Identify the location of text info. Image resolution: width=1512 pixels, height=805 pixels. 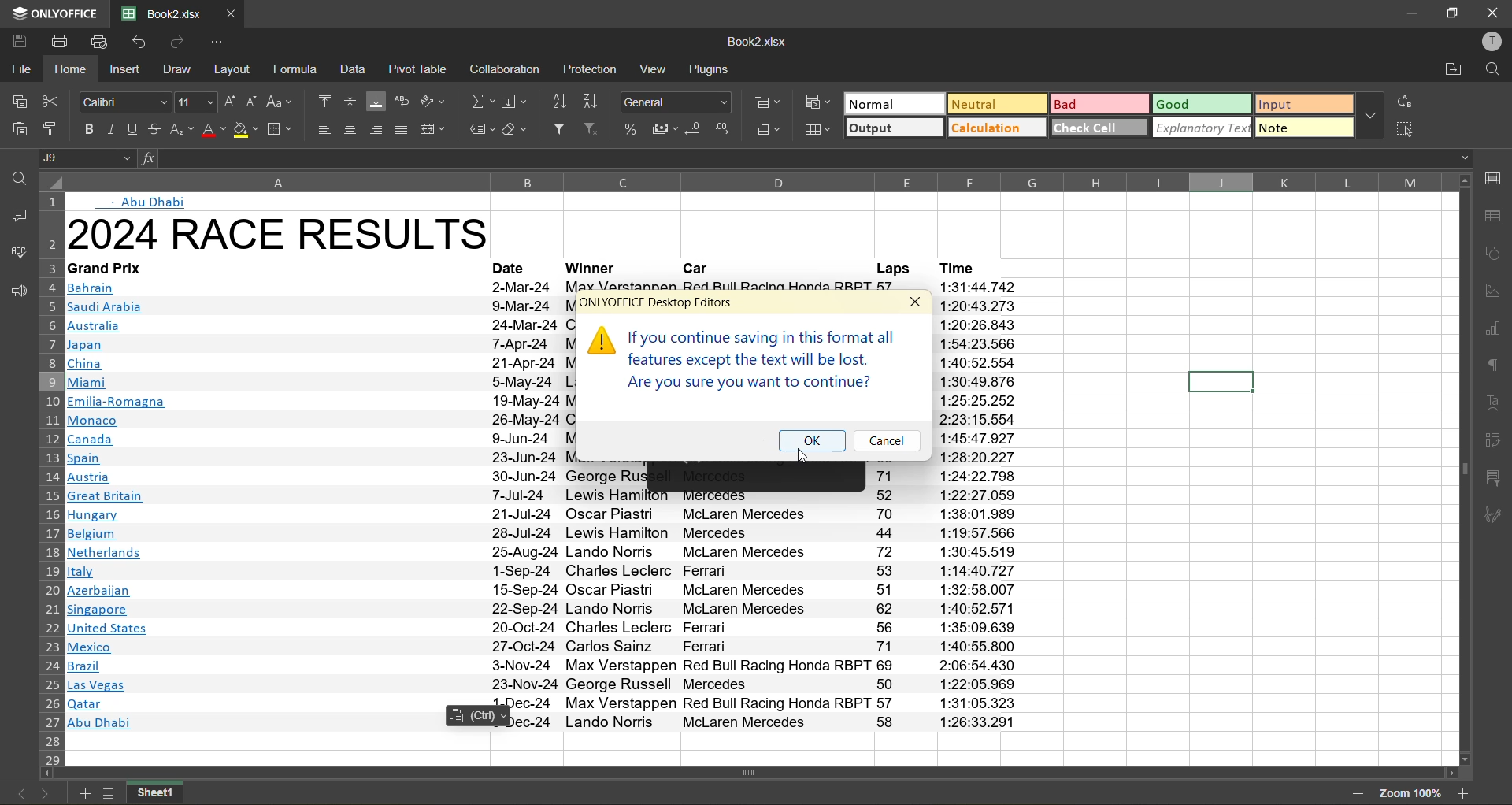
(549, 629).